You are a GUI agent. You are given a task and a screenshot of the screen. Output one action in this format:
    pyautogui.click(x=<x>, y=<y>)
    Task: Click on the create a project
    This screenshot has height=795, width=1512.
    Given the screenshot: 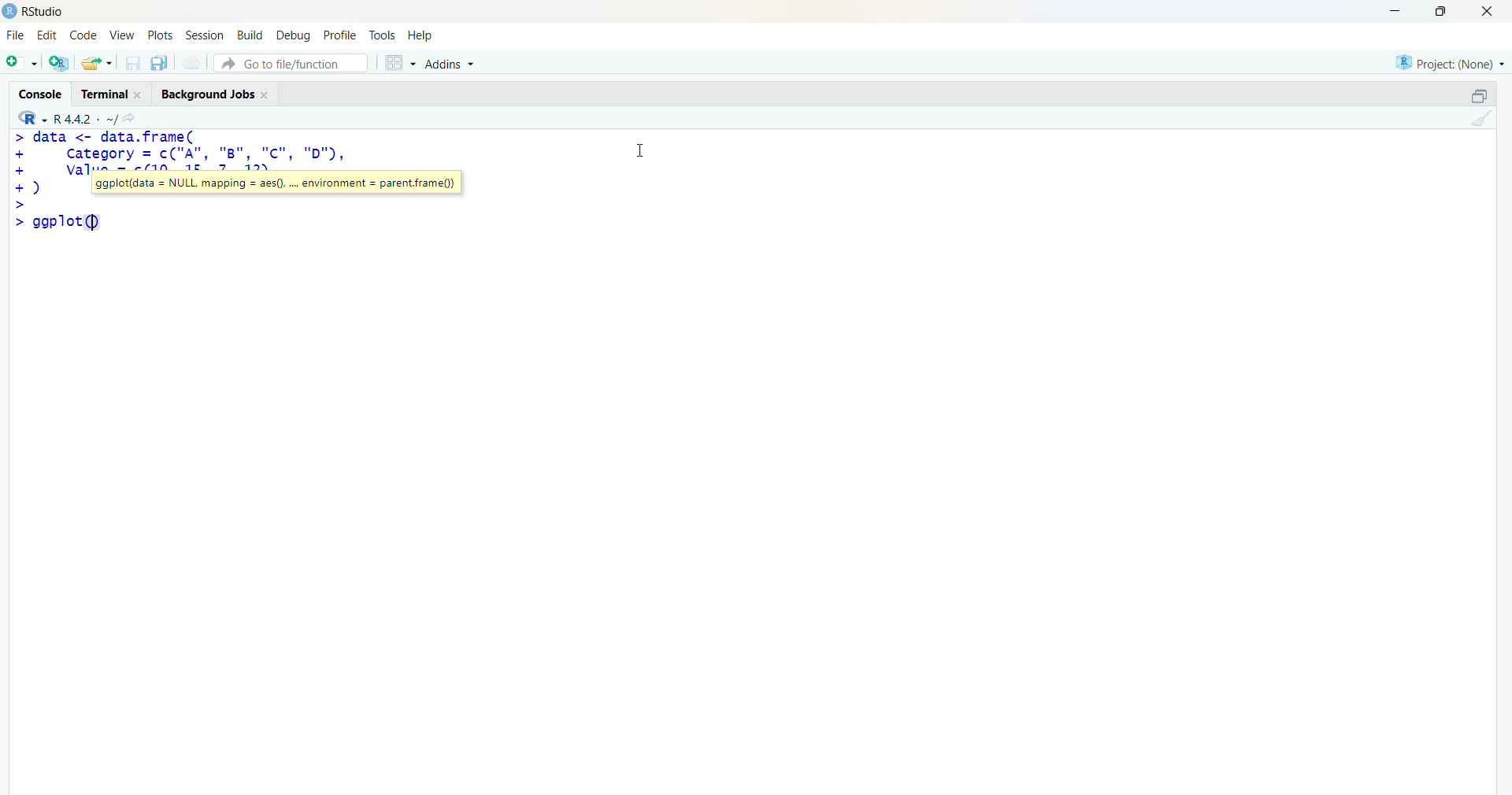 What is the action you would take?
    pyautogui.click(x=58, y=62)
    